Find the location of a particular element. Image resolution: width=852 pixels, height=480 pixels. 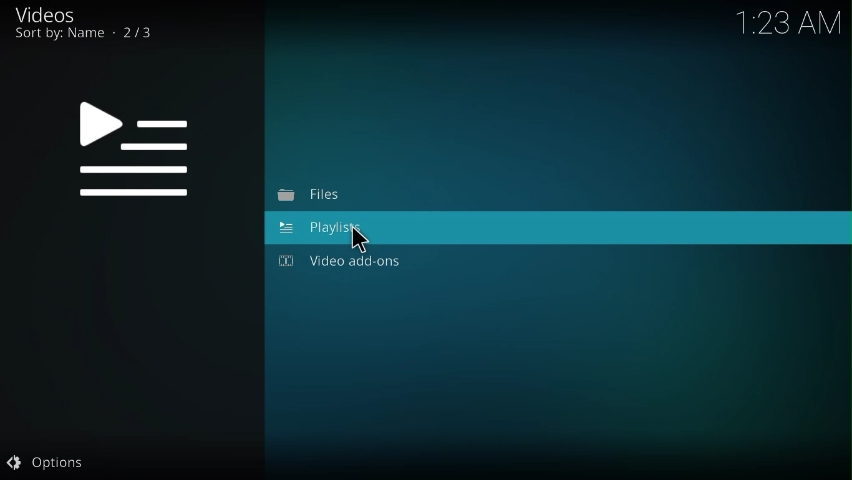

sort by name is located at coordinates (87, 36).